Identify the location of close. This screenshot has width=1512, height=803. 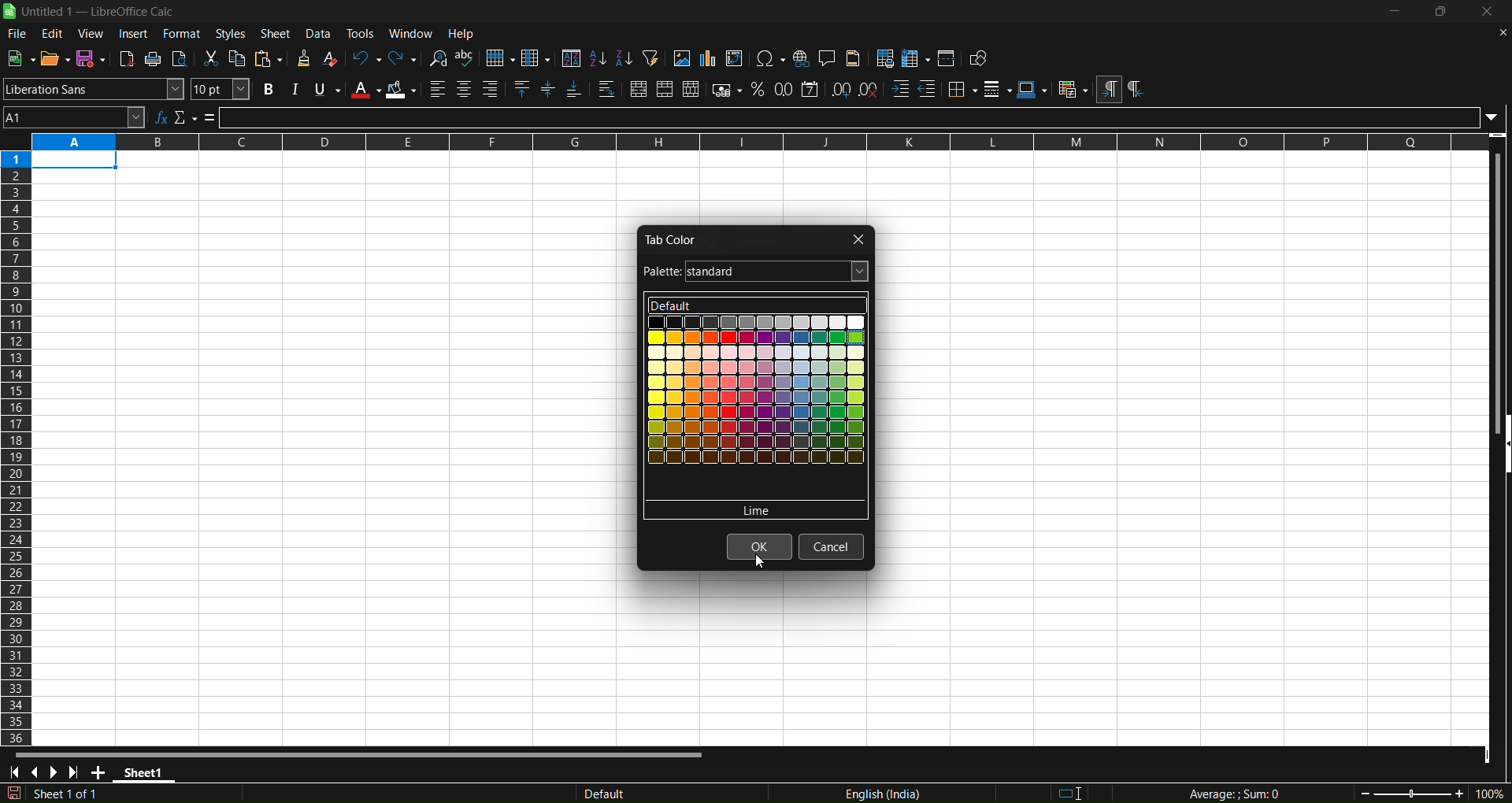
(856, 239).